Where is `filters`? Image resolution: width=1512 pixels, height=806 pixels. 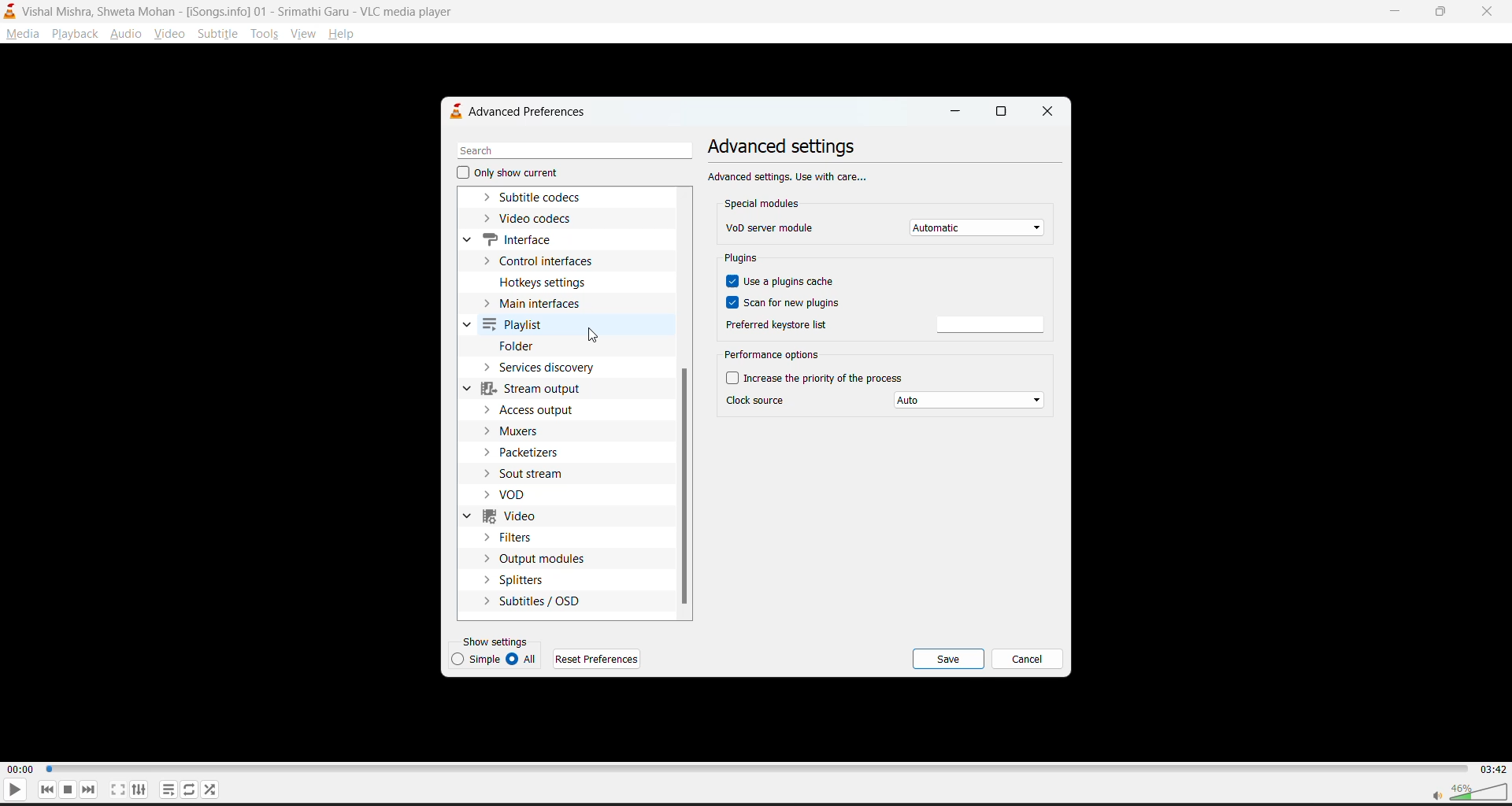 filters is located at coordinates (514, 537).